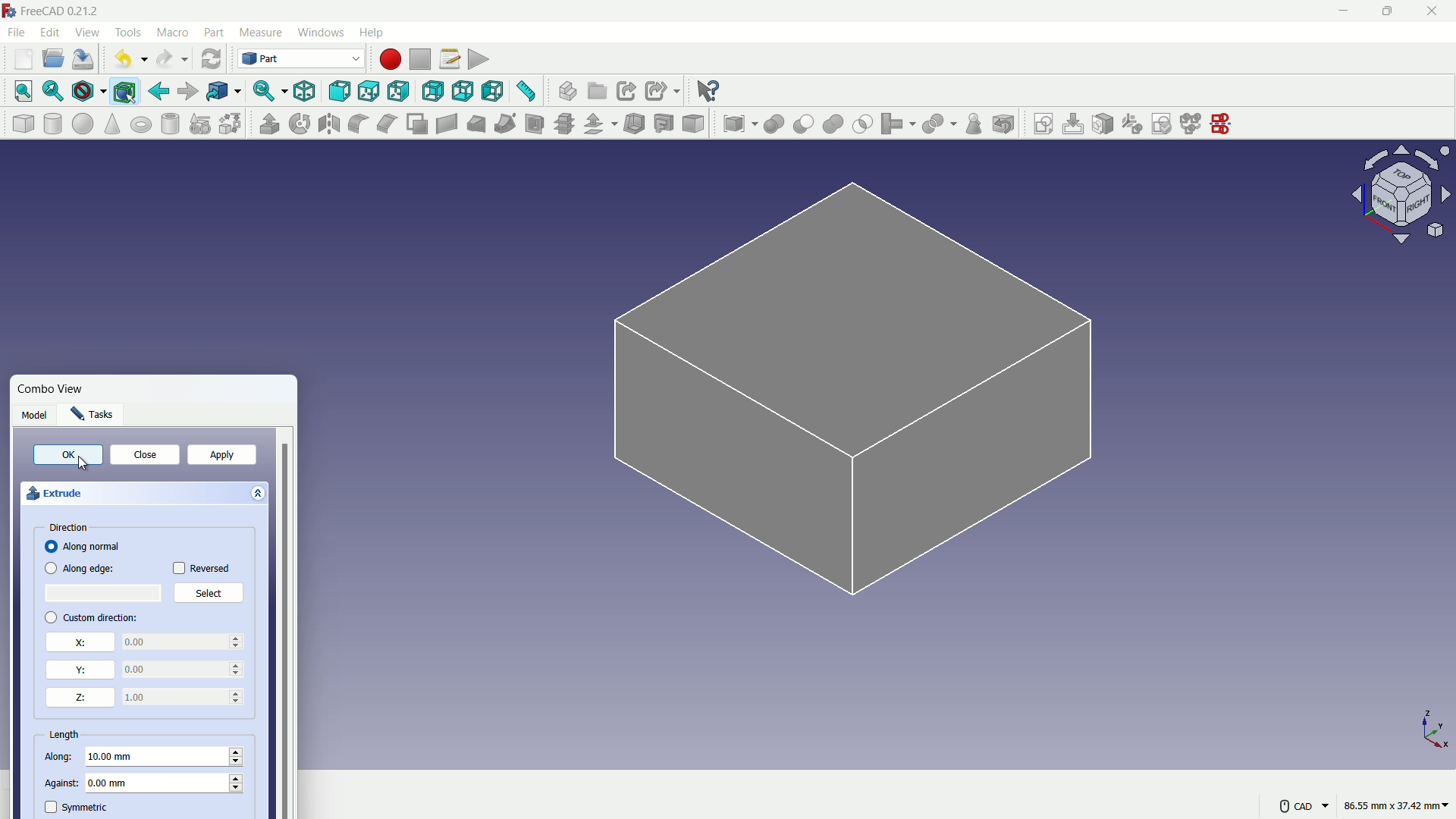  I want to click on top view, so click(368, 90).